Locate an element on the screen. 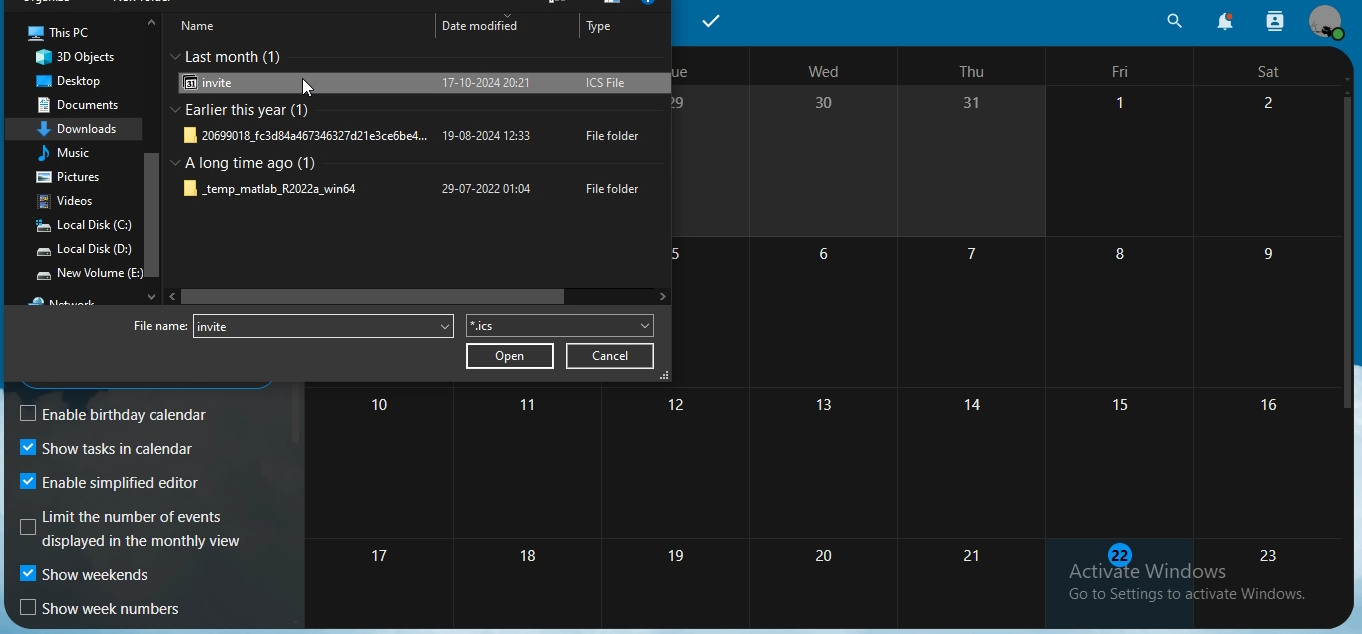 The width and height of the screenshot is (1362, 634). file name is located at coordinates (160, 326).